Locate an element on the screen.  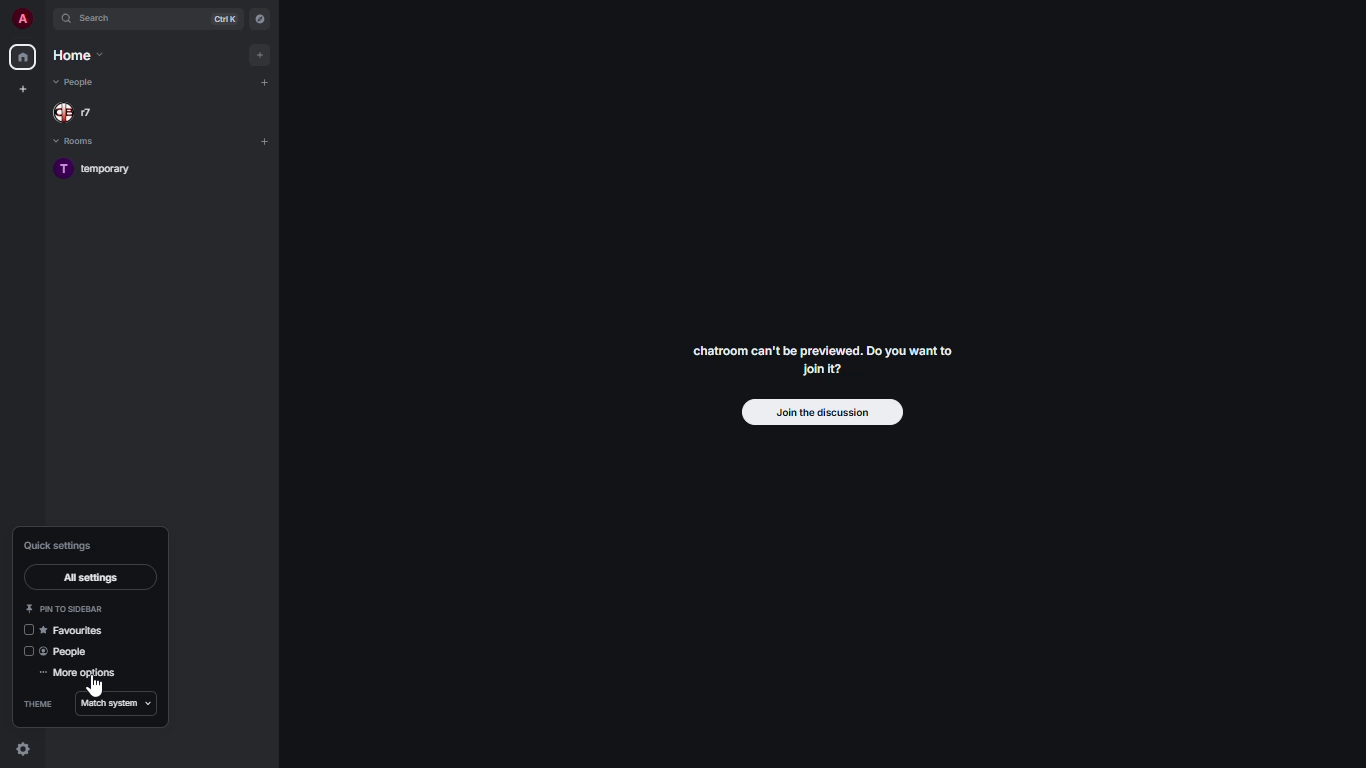
people is located at coordinates (80, 112).